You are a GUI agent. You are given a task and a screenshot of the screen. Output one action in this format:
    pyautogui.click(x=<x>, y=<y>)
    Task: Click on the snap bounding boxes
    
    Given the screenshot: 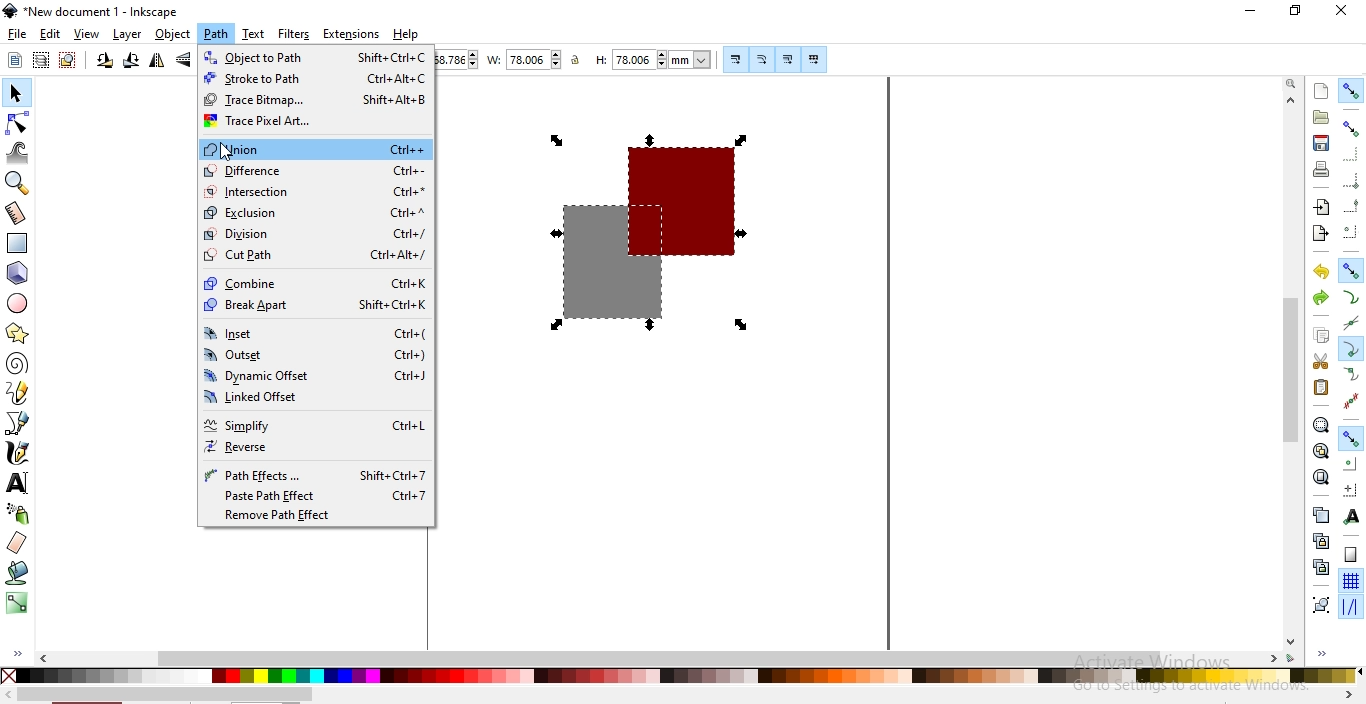 What is the action you would take?
    pyautogui.click(x=1353, y=128)
    